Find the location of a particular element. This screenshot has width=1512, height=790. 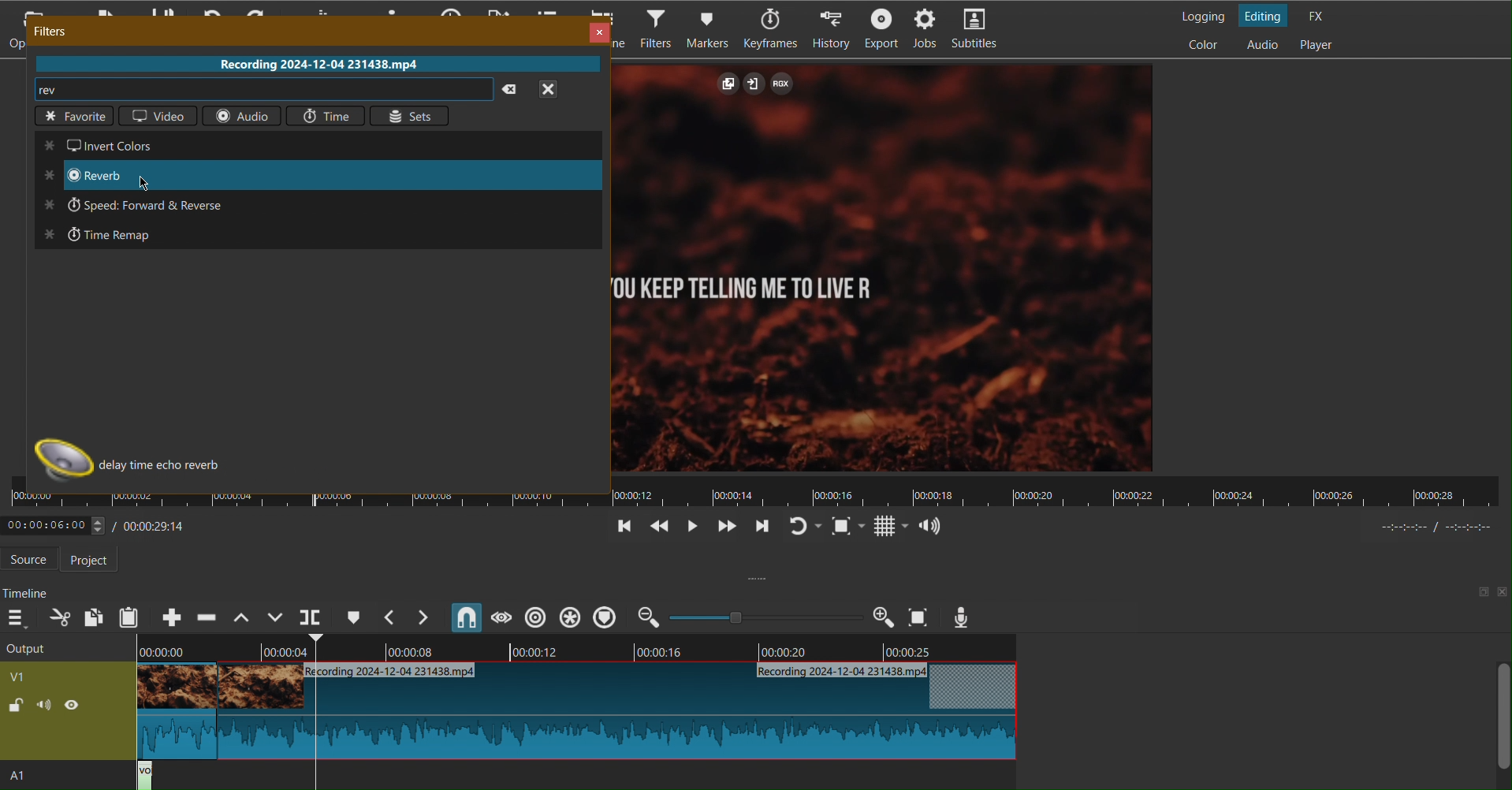

Subtitles is located at coordinates (982, 30).